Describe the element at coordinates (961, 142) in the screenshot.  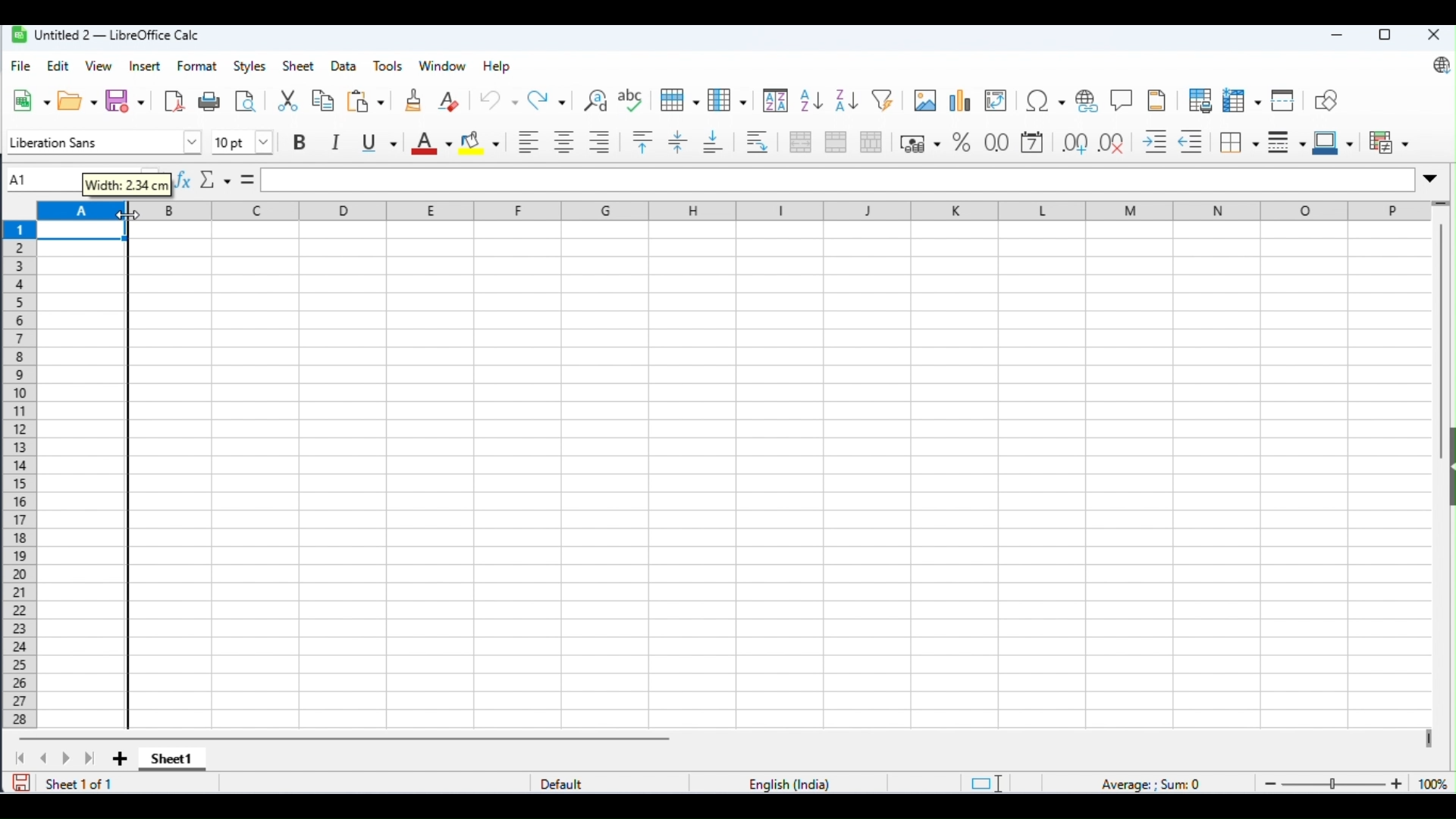
I see `format as percent` at that location.